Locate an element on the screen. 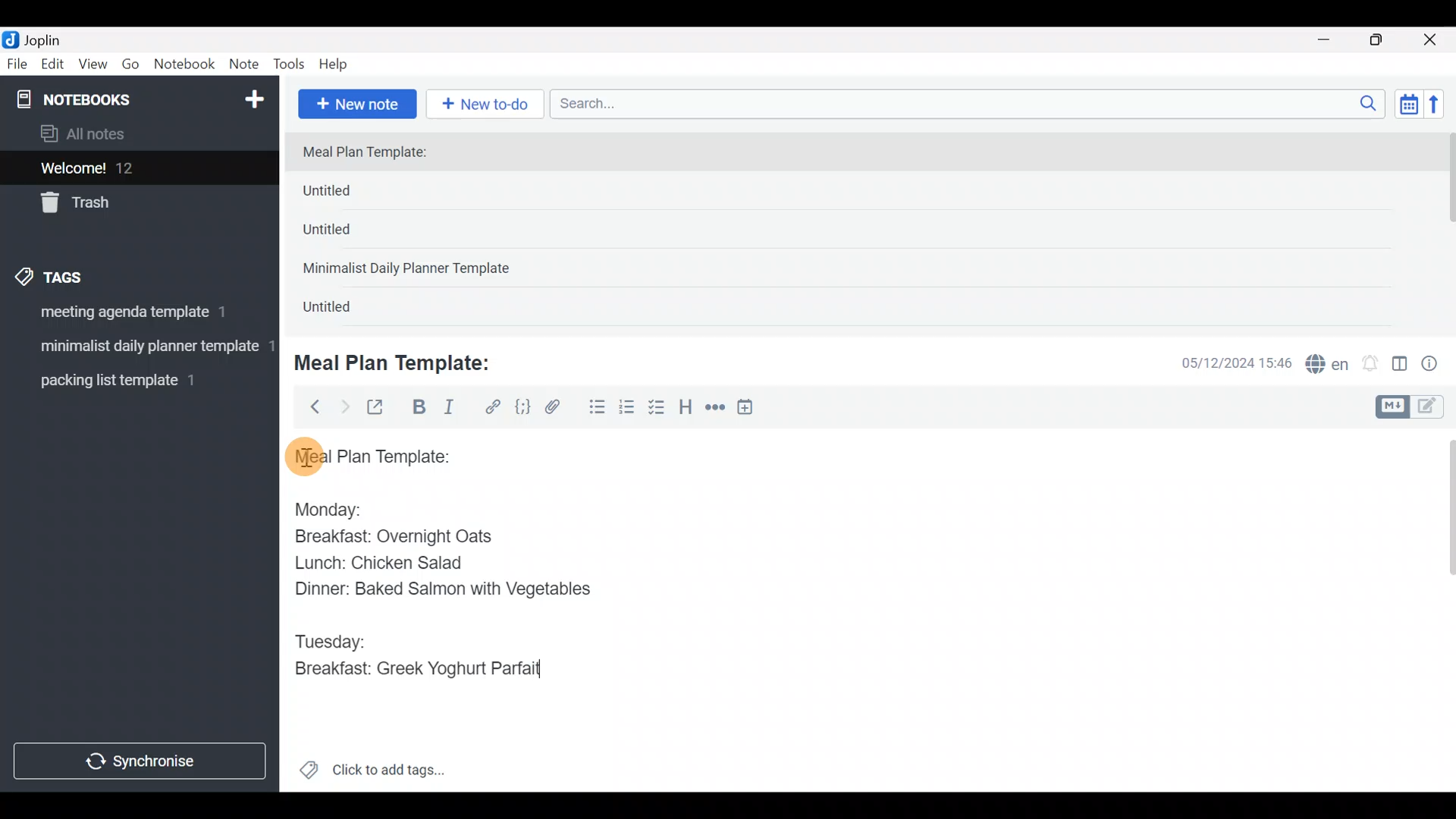  Tools is located at coordinates (290, 65).